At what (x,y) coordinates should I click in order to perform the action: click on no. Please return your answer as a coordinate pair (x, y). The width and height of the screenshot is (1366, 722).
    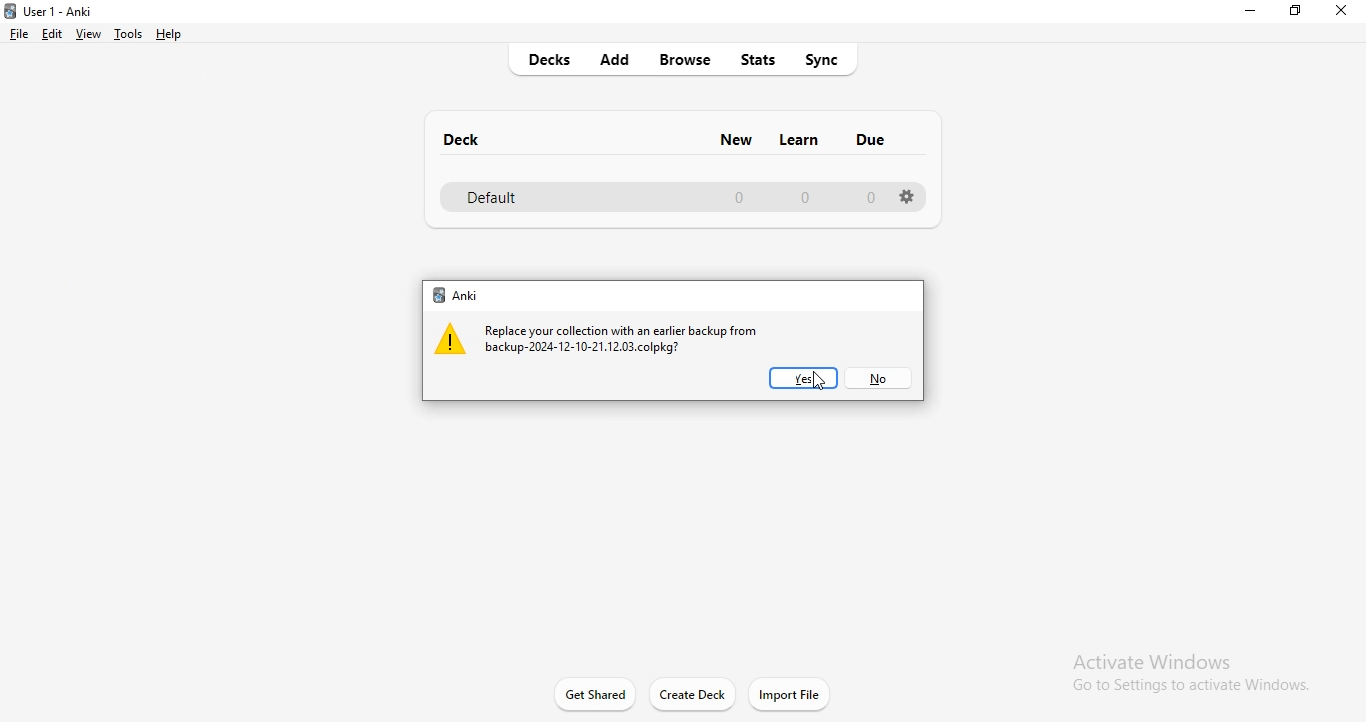
    Looking at the image, I should click on (880, 379).